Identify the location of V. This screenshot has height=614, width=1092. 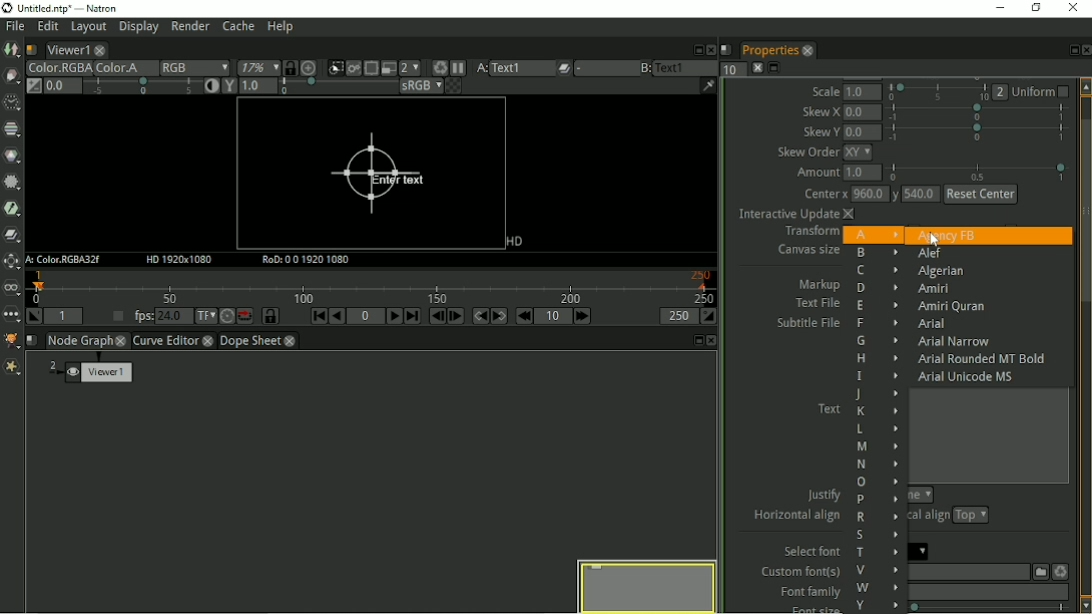
(875, 570).